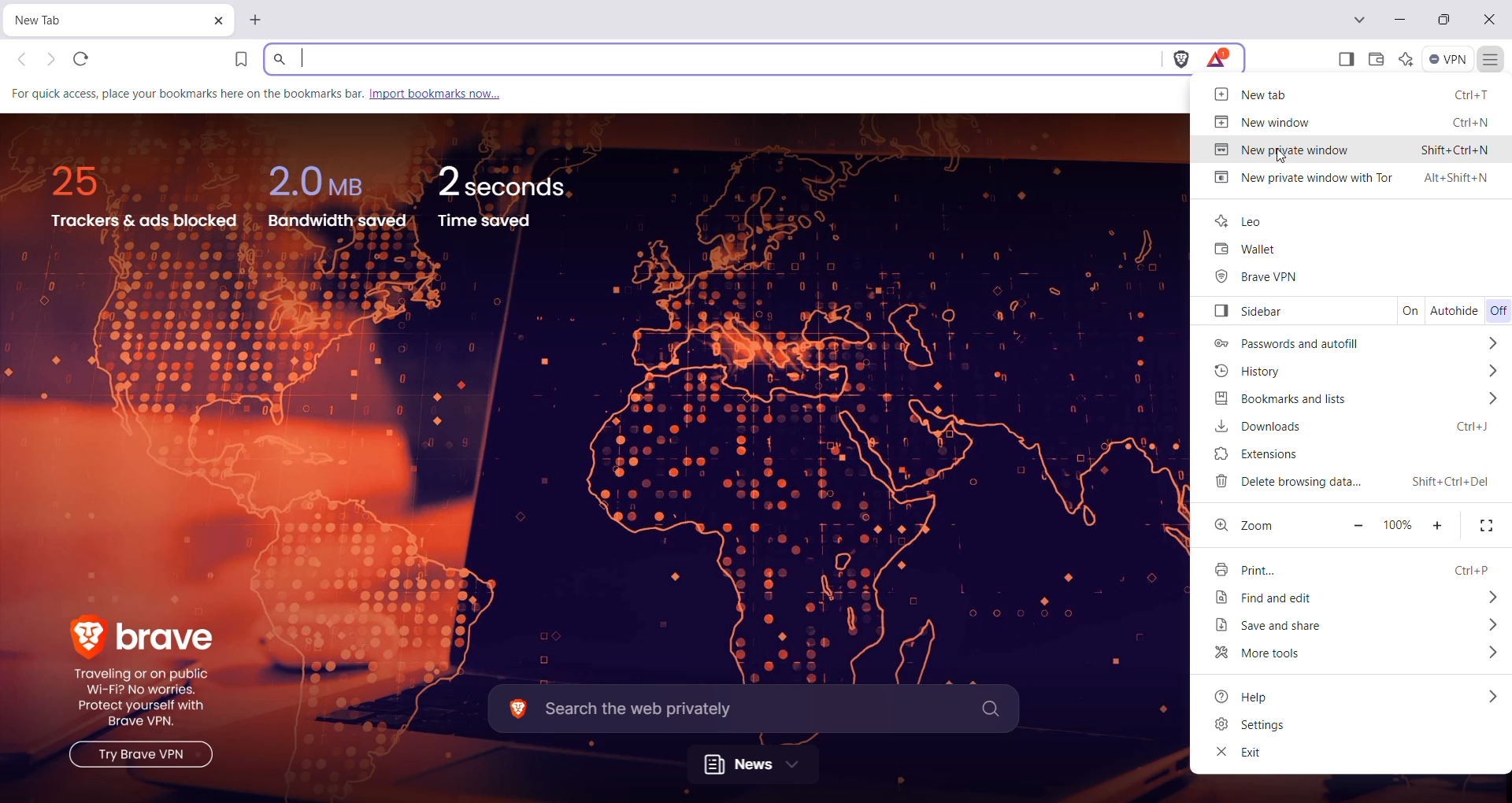 The image size is (1512, 803). Describe the element at coordinates (1488, 526) in the screenshot. I see `Fullscreen` at that location.